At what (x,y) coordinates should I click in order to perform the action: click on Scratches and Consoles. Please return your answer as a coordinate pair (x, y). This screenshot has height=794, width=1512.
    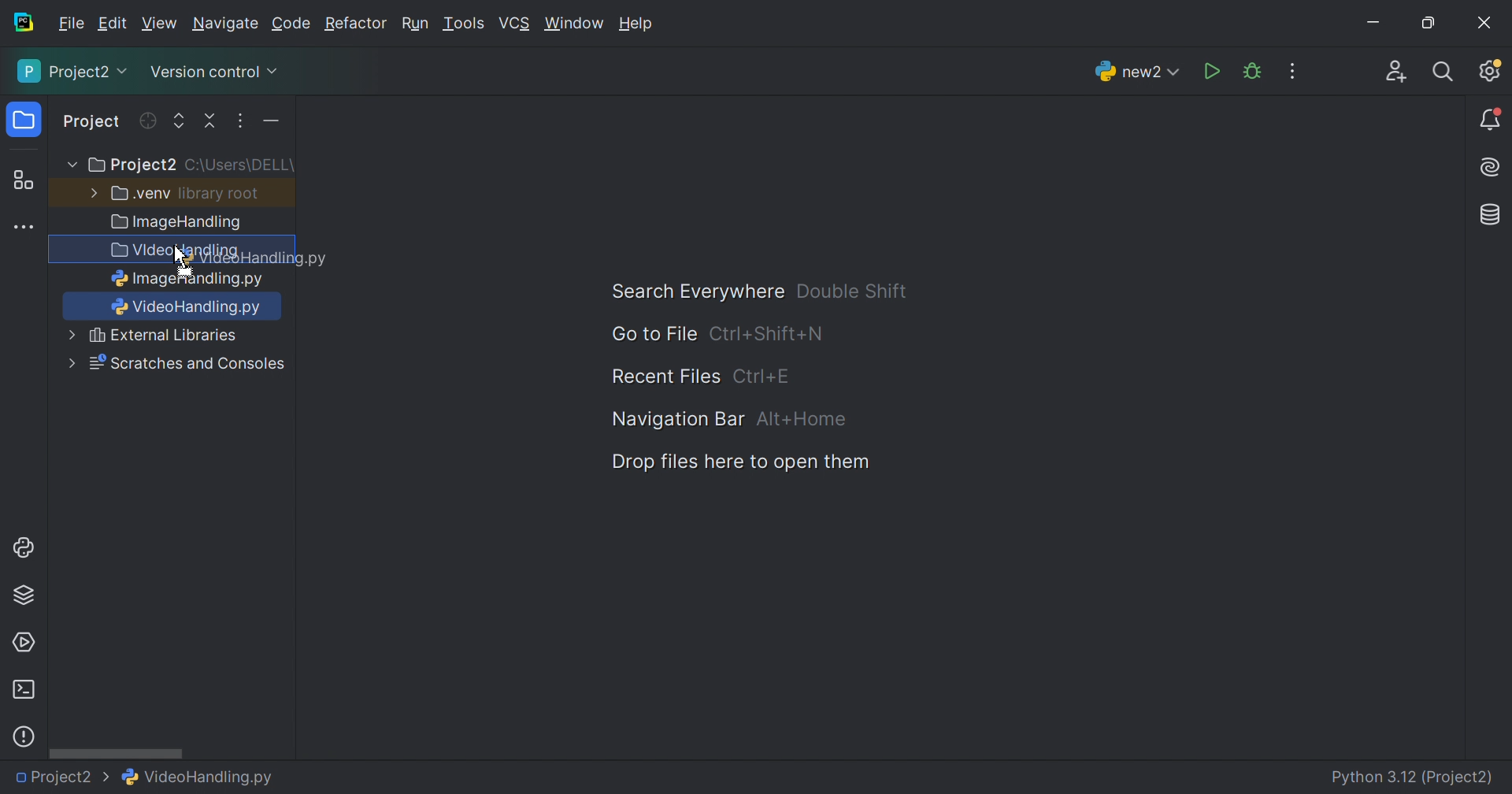
    Looking at the image, I should click on (187, 364).